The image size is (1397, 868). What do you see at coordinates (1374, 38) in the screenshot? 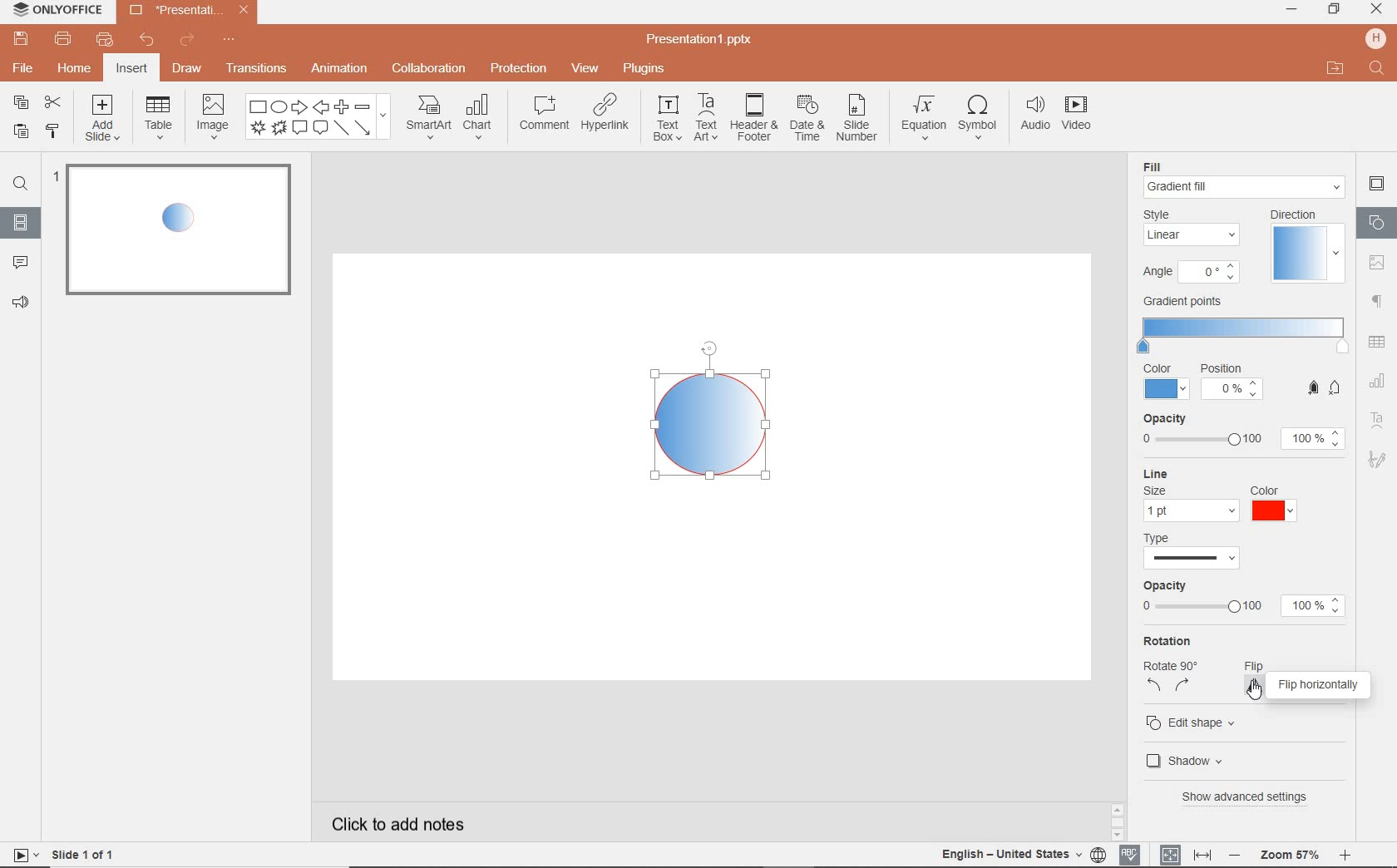
I see `hp` at bounding box center [1374, 38].